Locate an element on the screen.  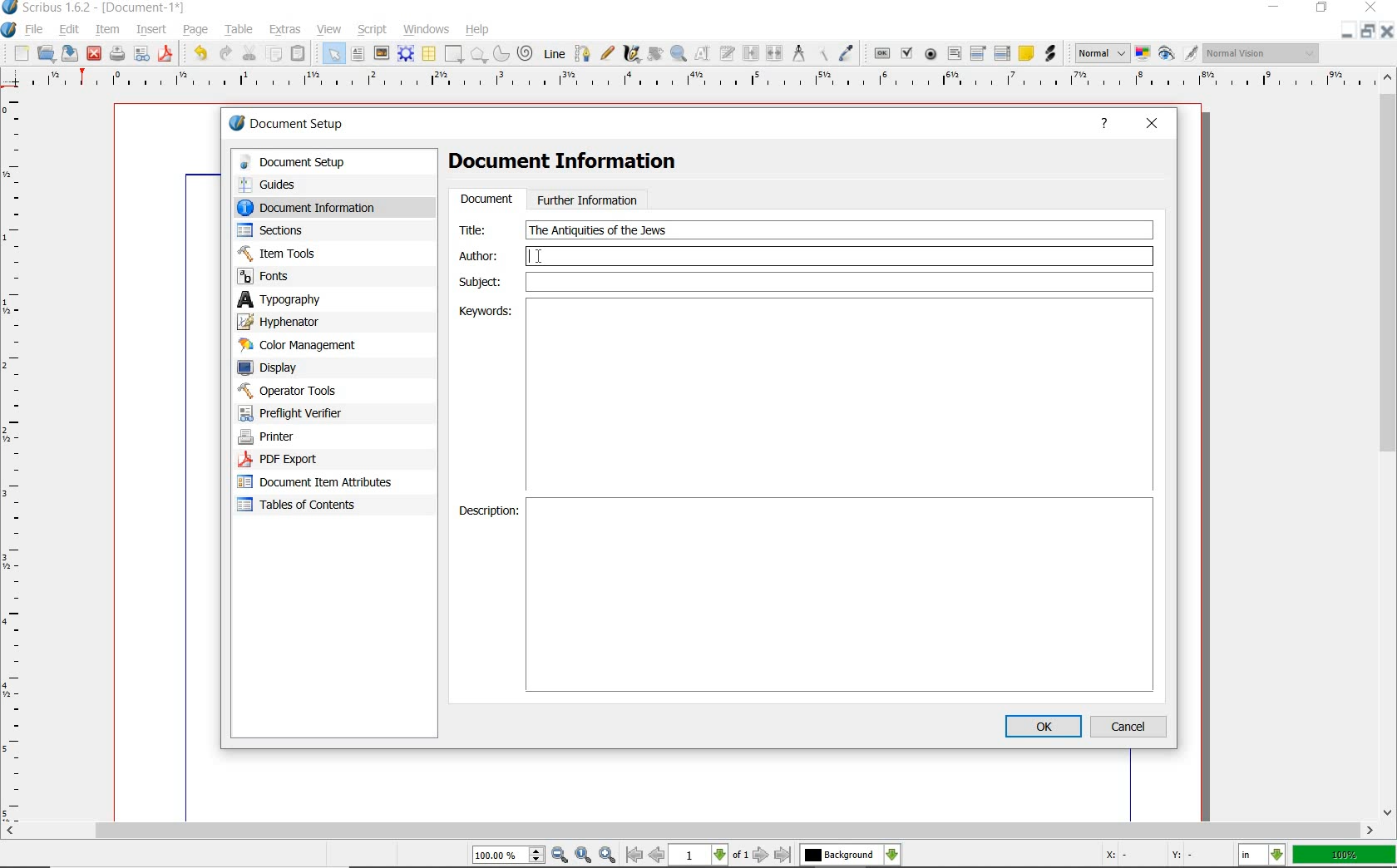
Document Information is located at coordinates (576, 164).